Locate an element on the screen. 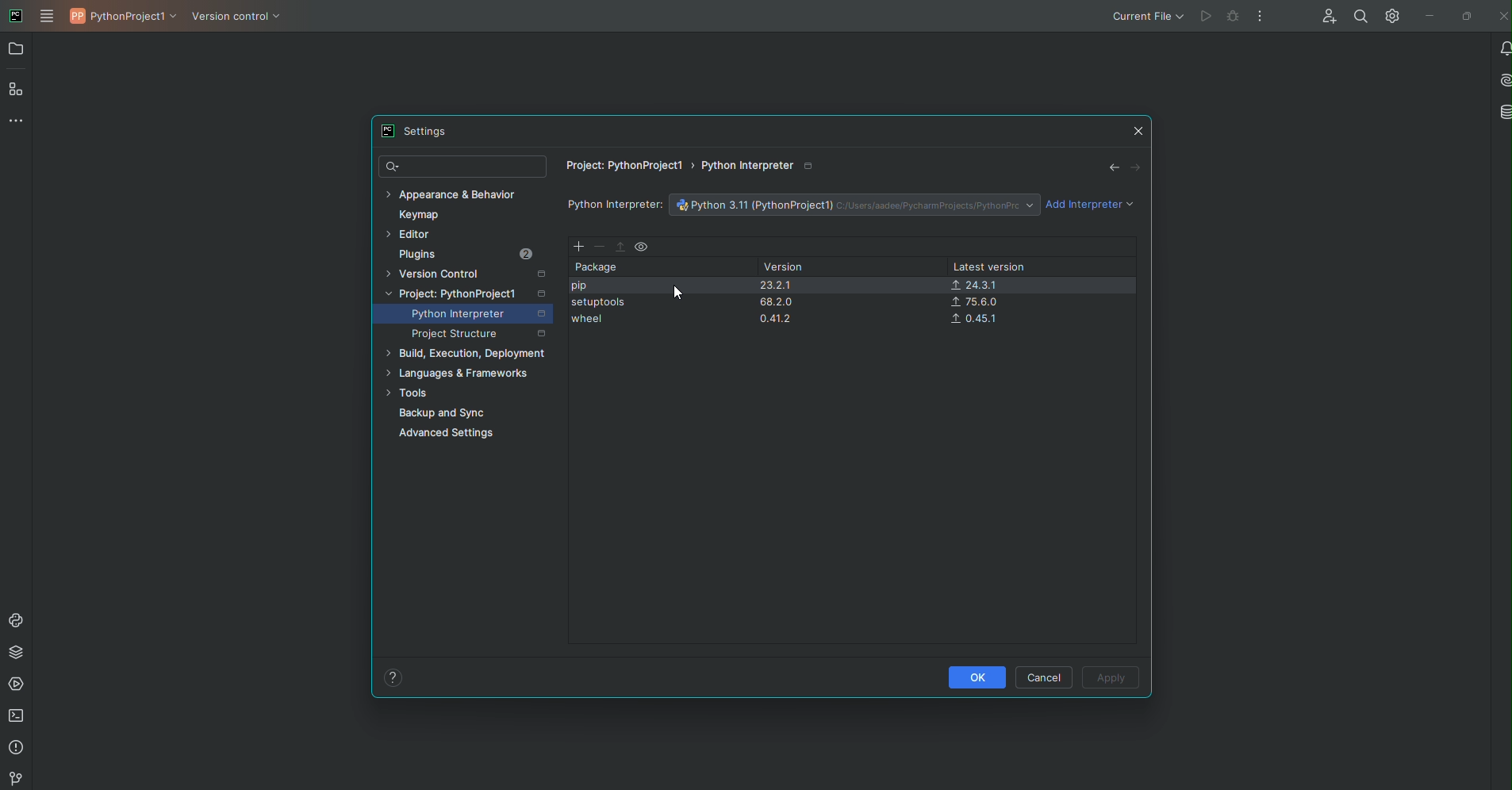 The width and height of the screenshot is (1512, 790). Tools is located at coordinates (409, 393).